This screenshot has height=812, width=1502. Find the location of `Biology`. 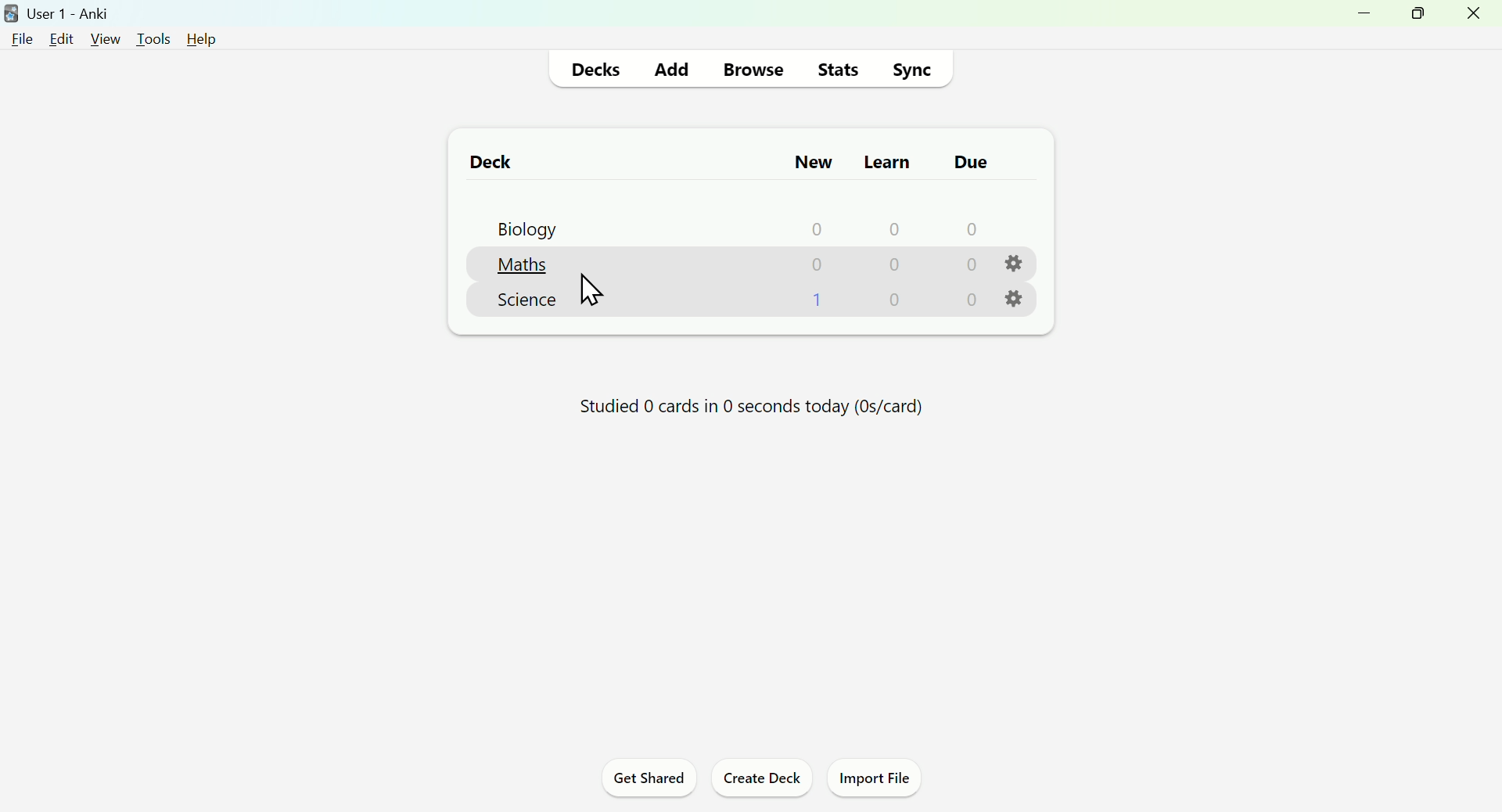

Biology is located at coordinates (524, 228).